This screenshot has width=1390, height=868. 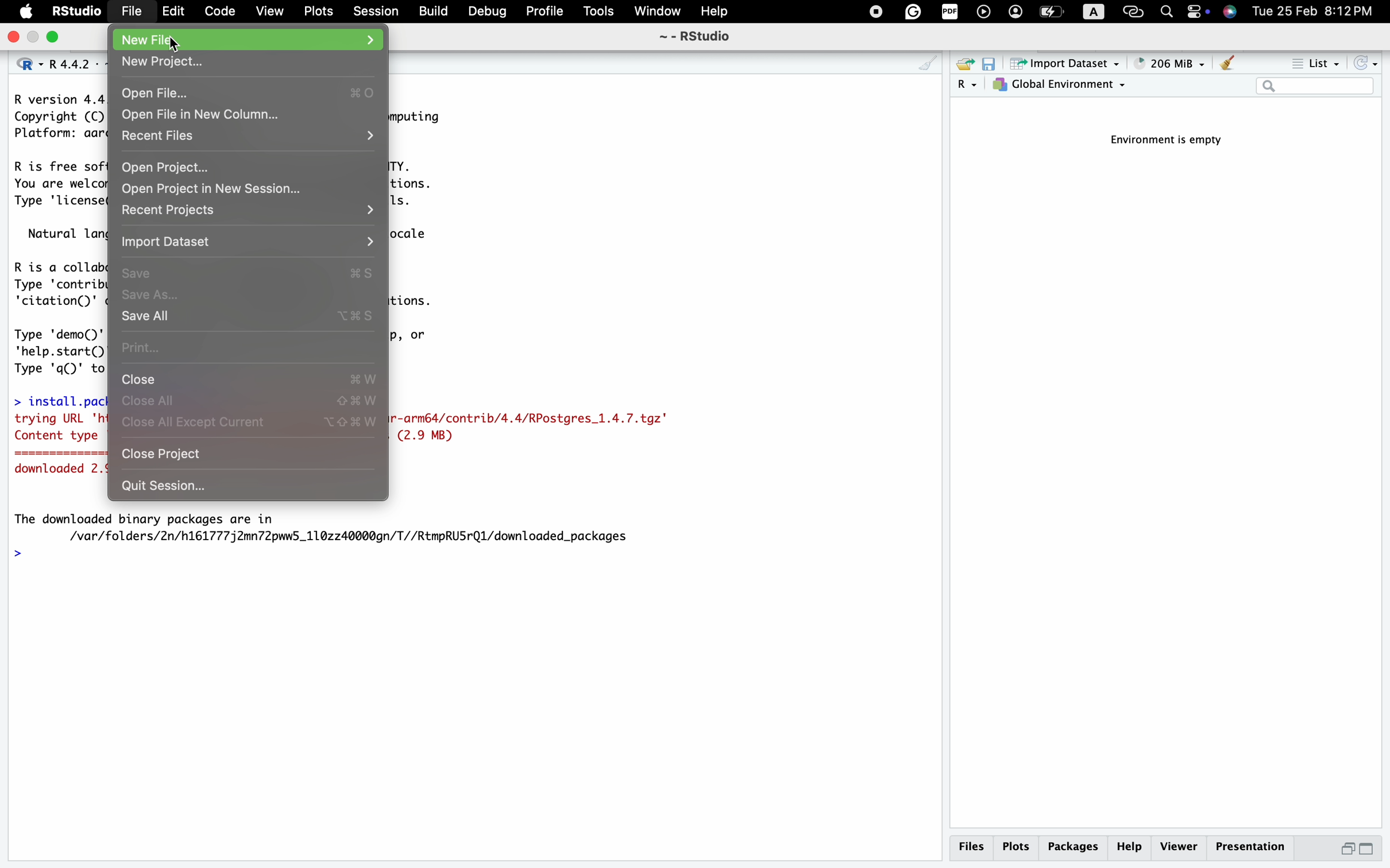 I want to click on save as, so click(x=248, y=296).